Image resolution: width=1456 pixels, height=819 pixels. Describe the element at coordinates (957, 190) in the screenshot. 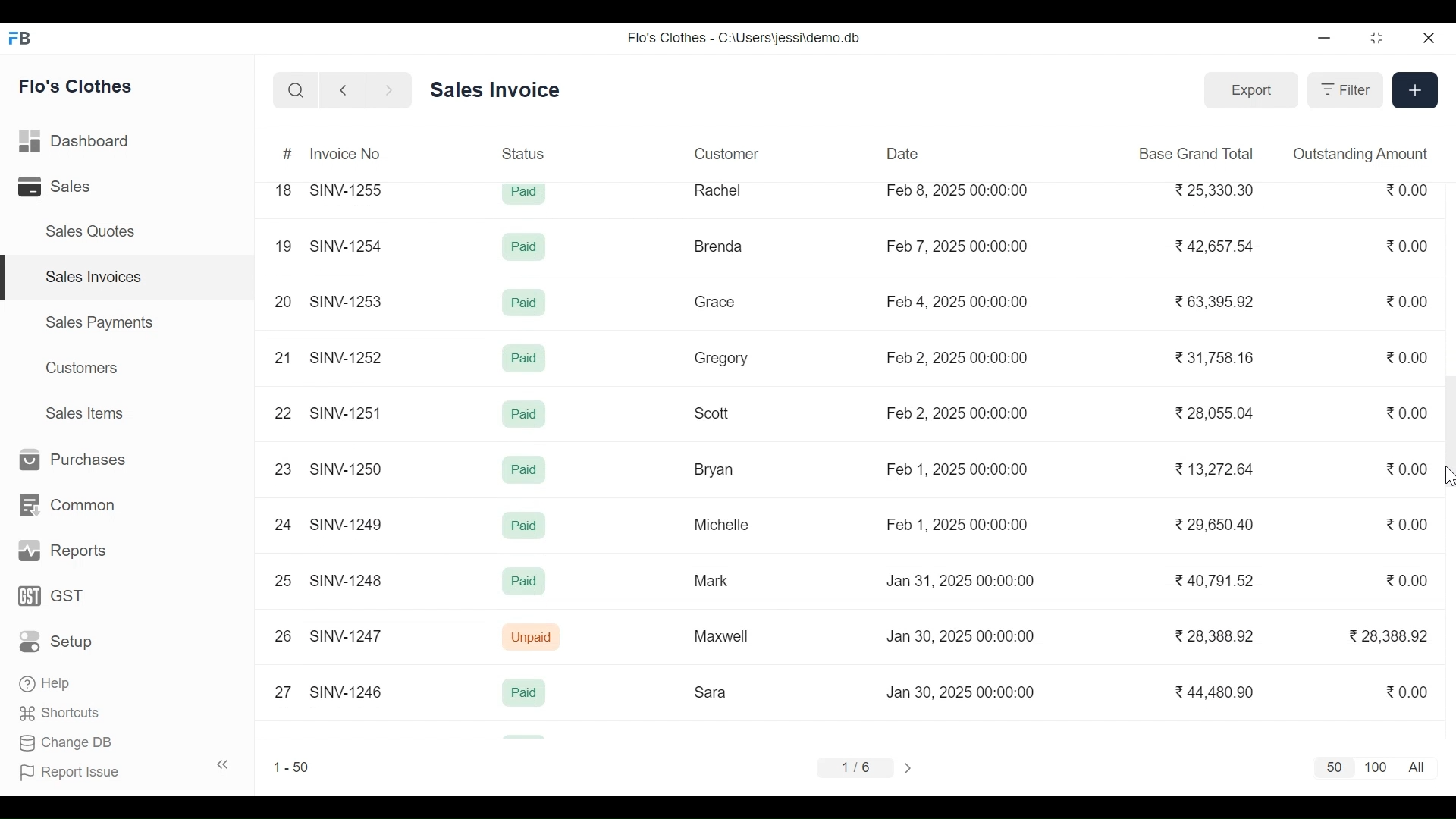

I see `Feb 8, 2025 00:00:00` at that location.